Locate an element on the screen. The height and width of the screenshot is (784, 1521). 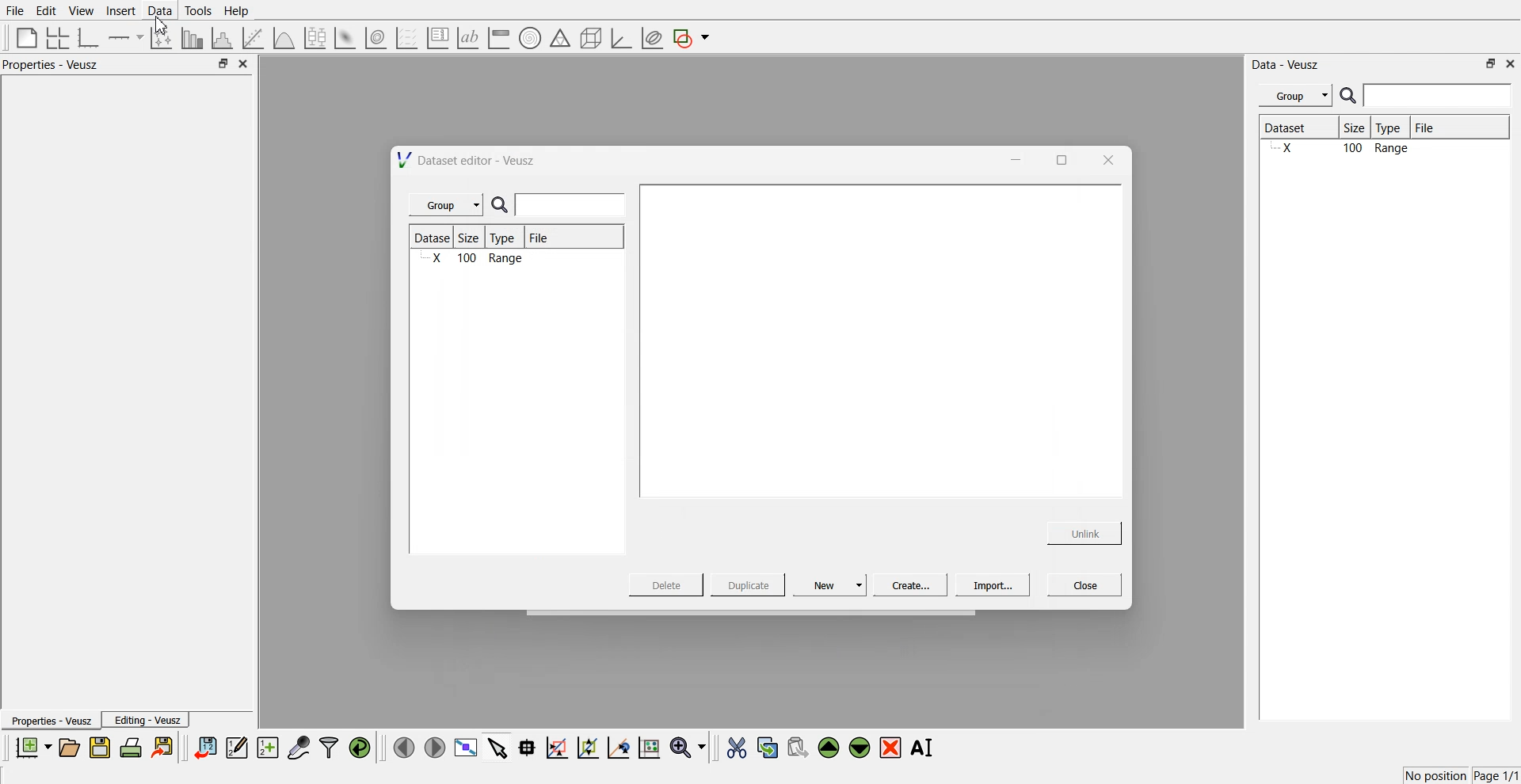
text label is located at coordinates (466, 38).